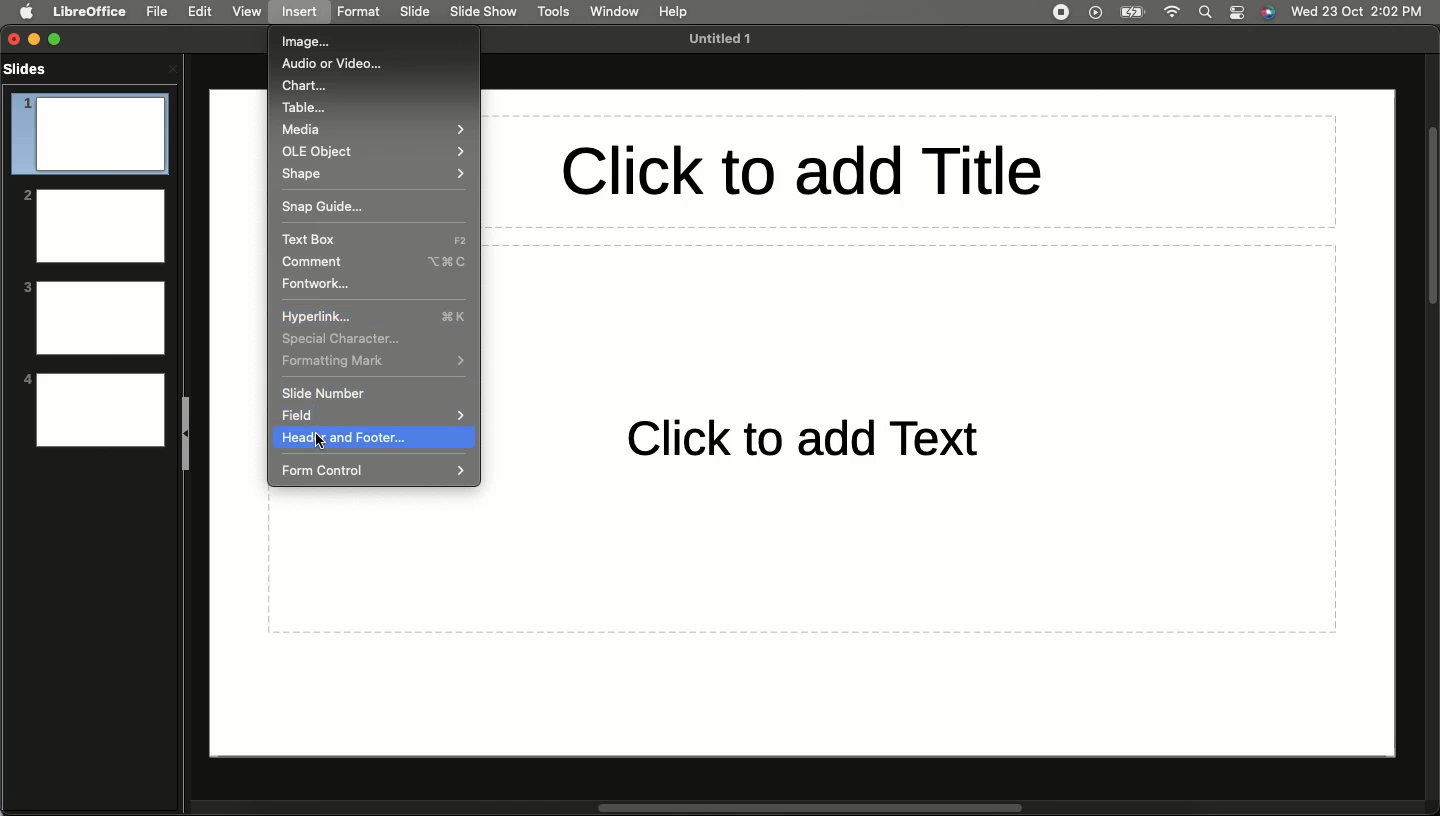 The image size is (1440, 816). What do you see at coordinates (1060, 11) in the screenshot?
I see `Recording` at bounding box center [1060, 11].